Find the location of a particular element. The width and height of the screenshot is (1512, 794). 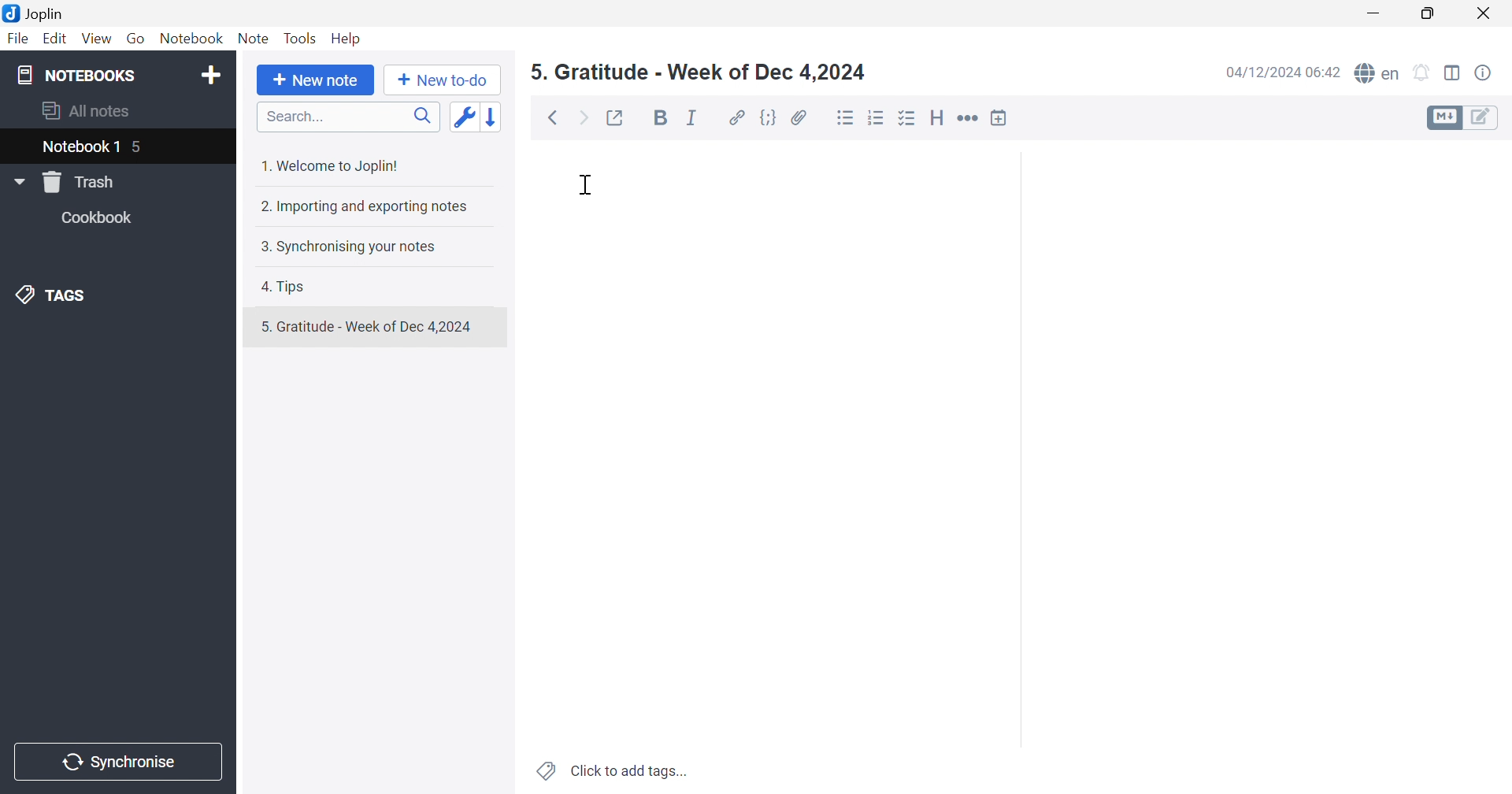

File is located at coordinates (20, 39).